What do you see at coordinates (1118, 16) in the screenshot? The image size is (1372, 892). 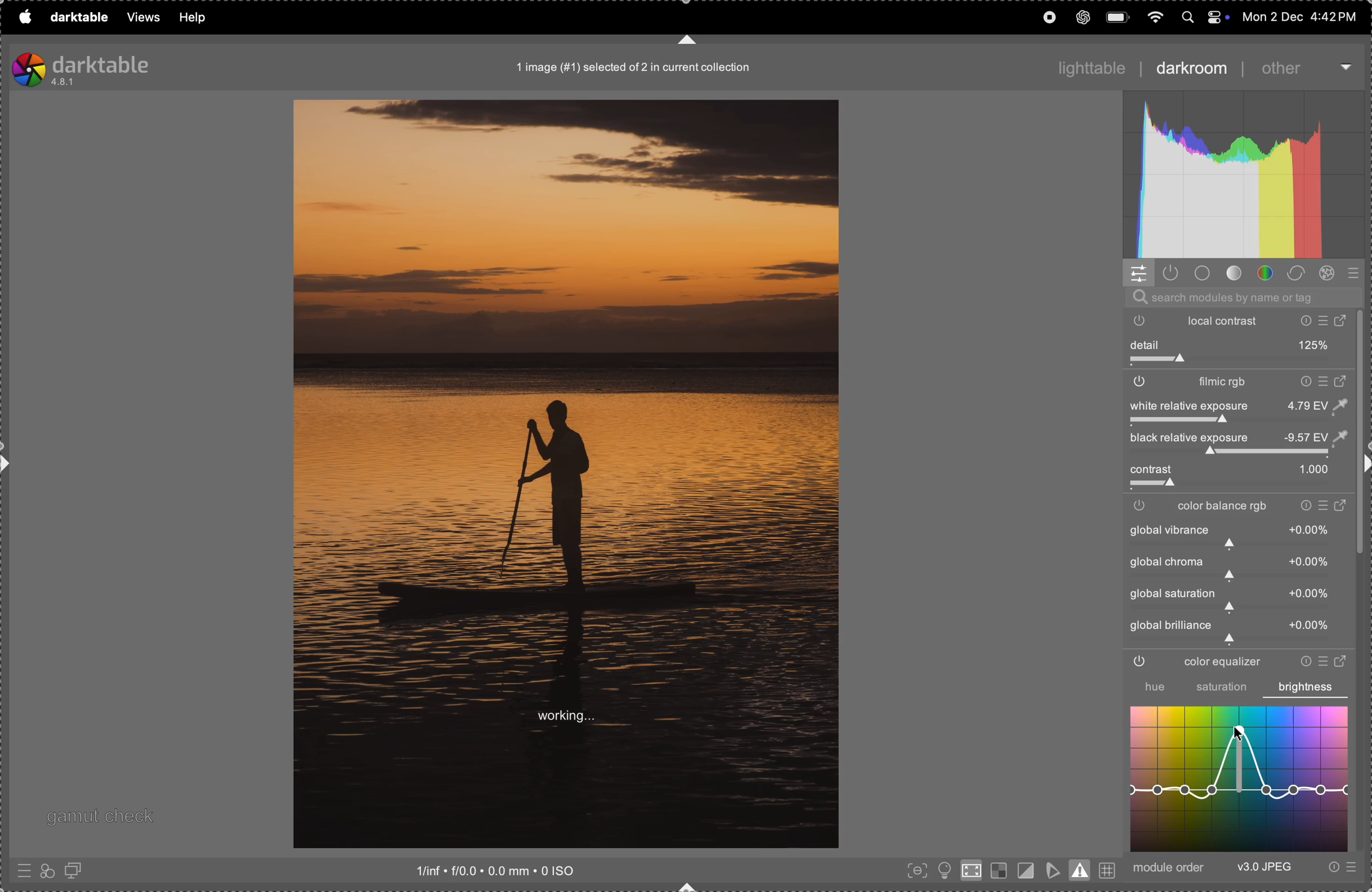 I see `battery` at bounding box center [1118, 16].